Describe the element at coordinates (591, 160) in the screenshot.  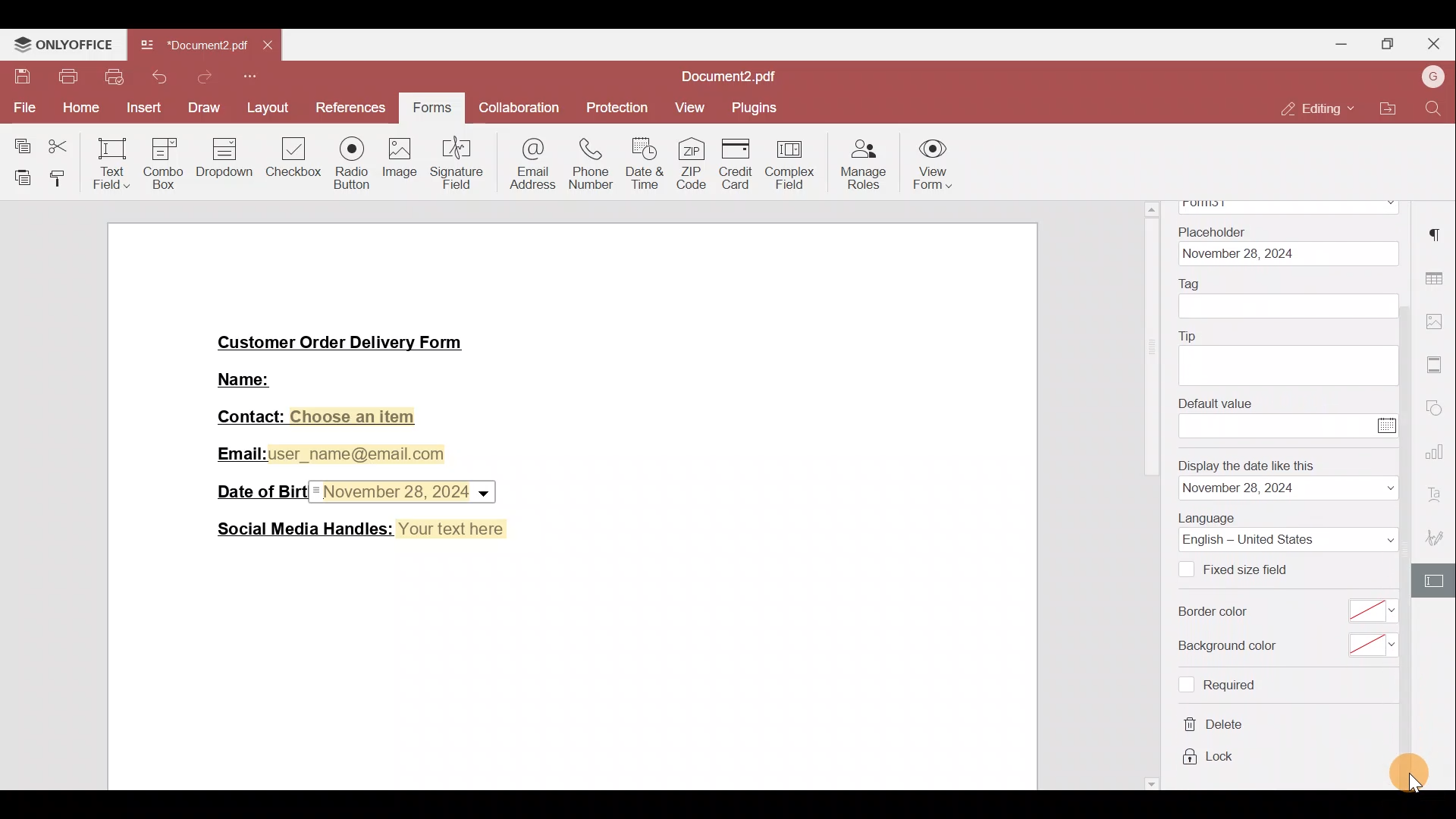
I see `Phone number` at that location.